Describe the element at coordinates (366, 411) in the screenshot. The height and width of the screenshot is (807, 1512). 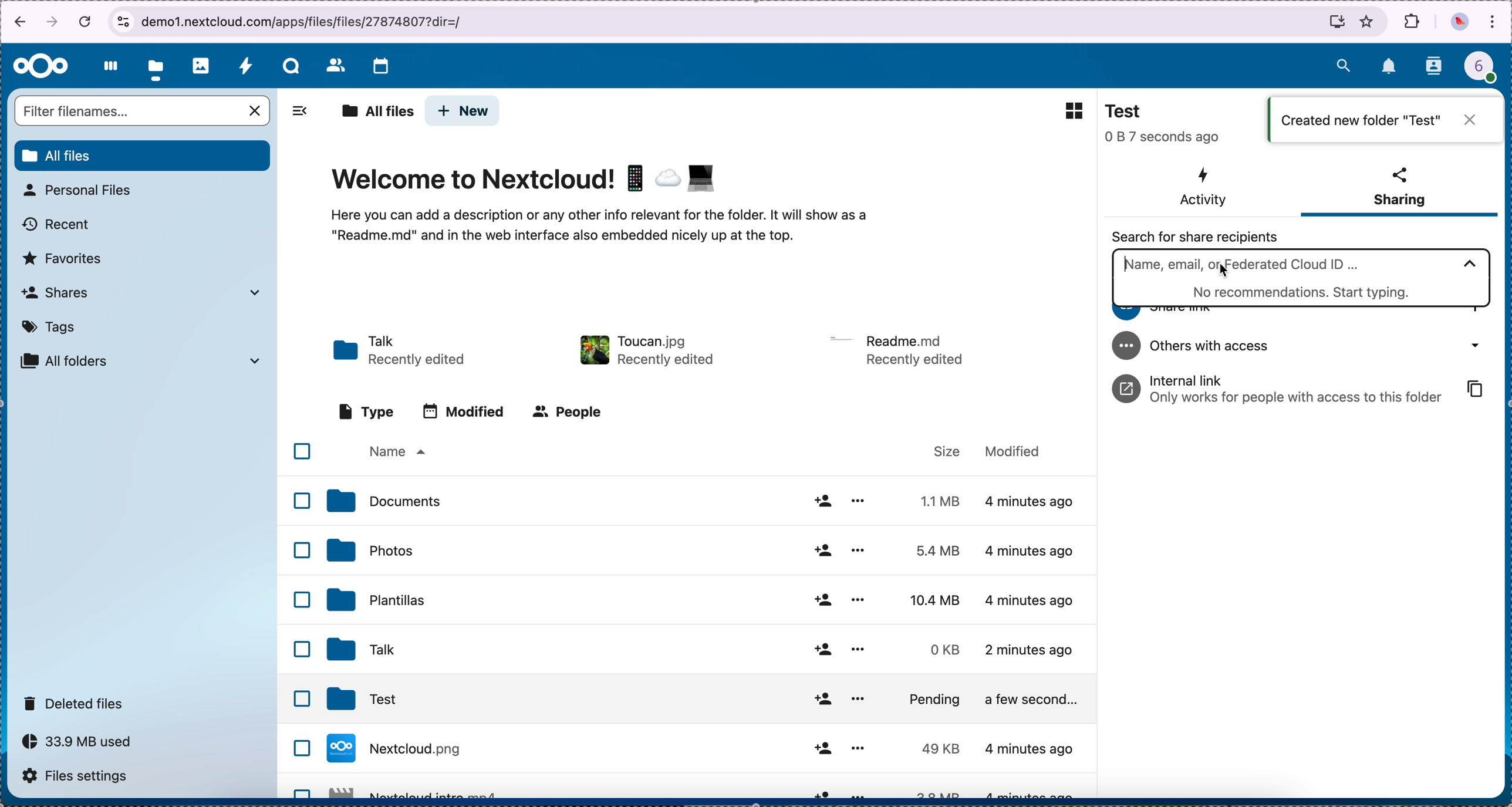
I see `type` at that location.